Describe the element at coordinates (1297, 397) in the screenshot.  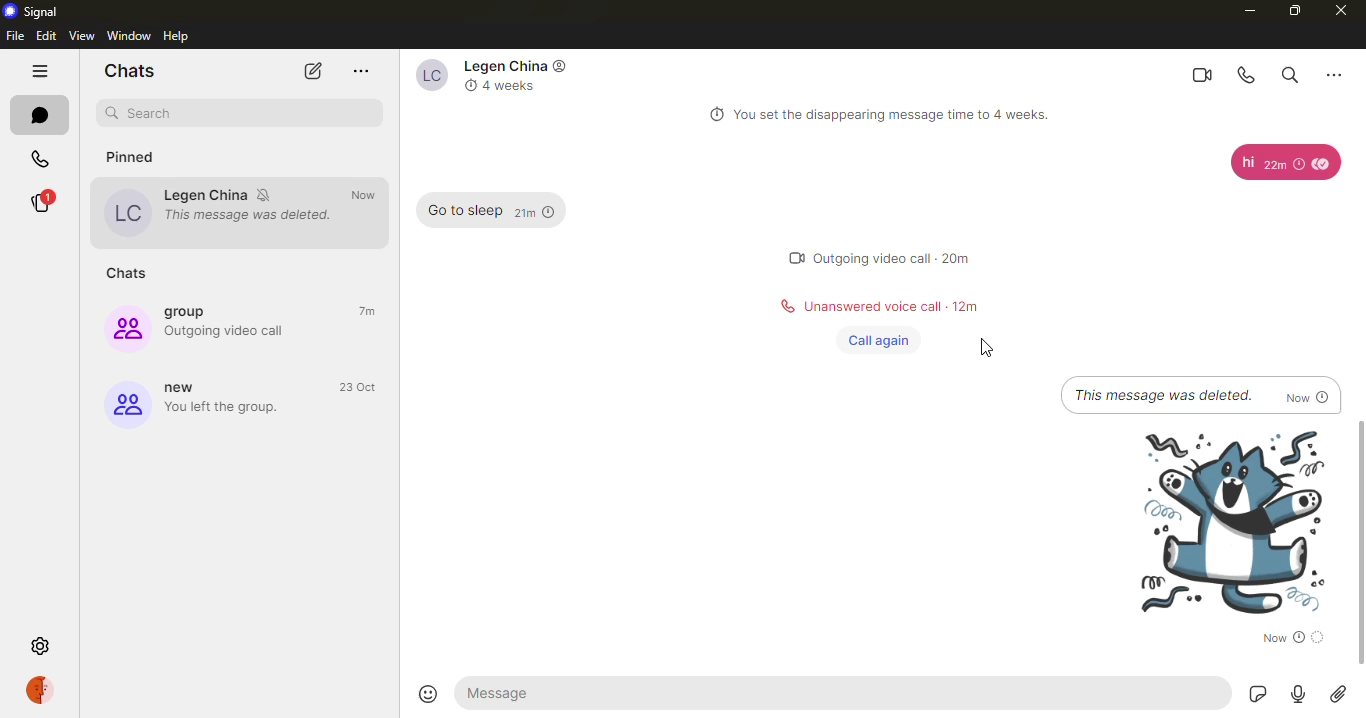
I see `Now` at that location.